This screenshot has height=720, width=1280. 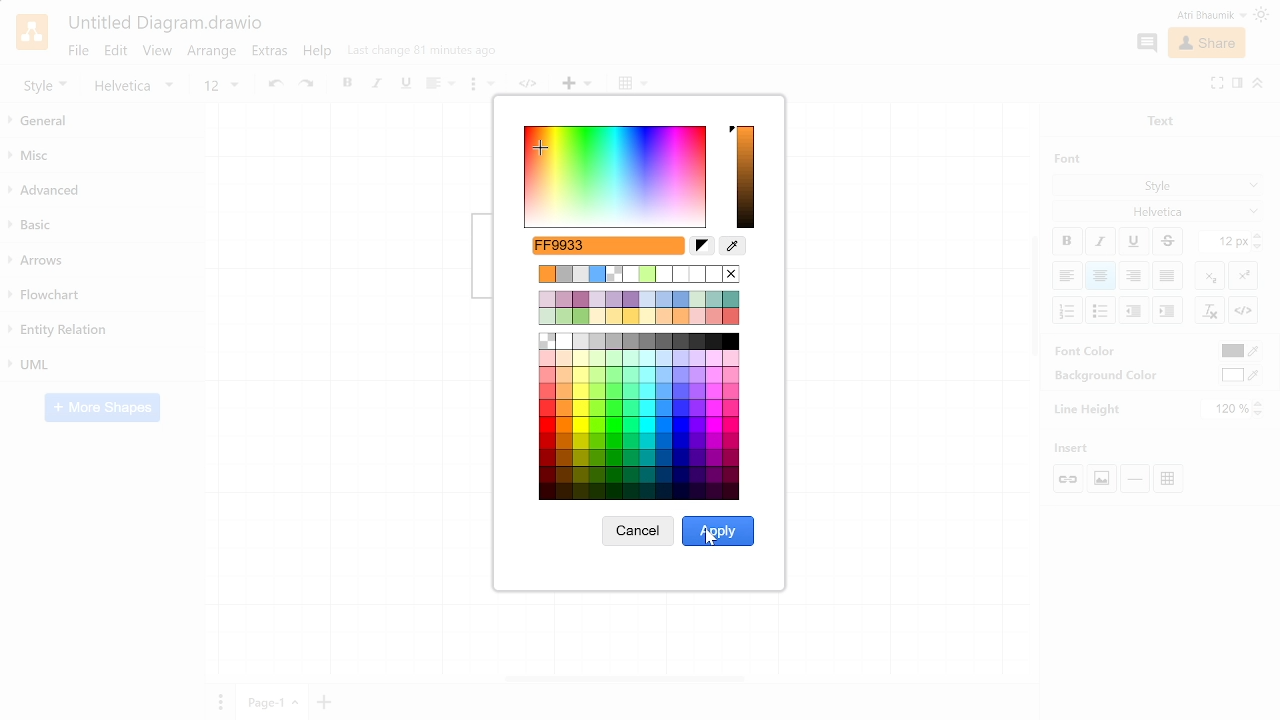 What do you see at coordinates (102, 226) in the screenshot?
I see `basic` at bounding box center [102, 226].